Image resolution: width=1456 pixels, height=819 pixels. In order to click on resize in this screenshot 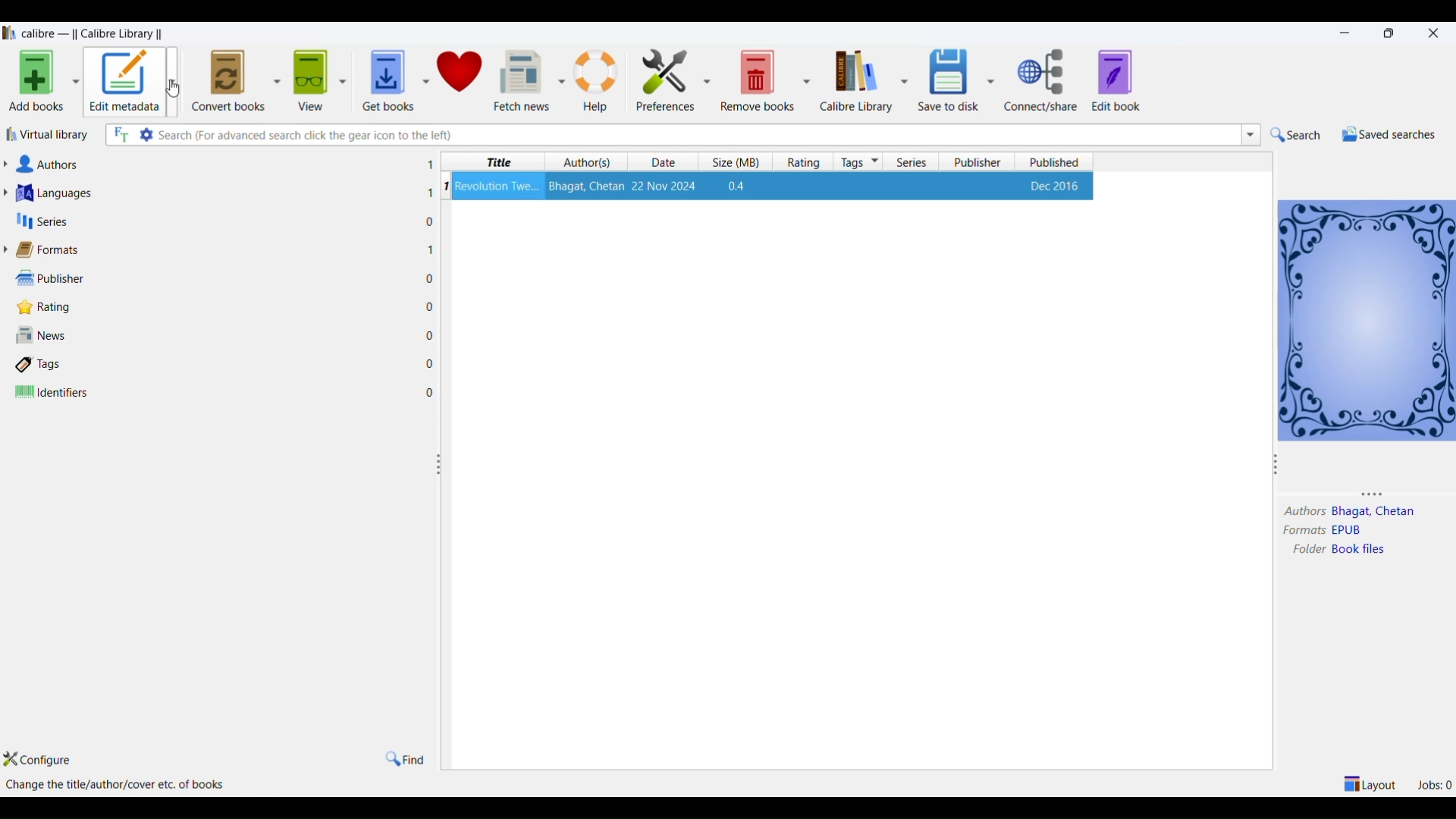, I will do `click(1379, 493)`.